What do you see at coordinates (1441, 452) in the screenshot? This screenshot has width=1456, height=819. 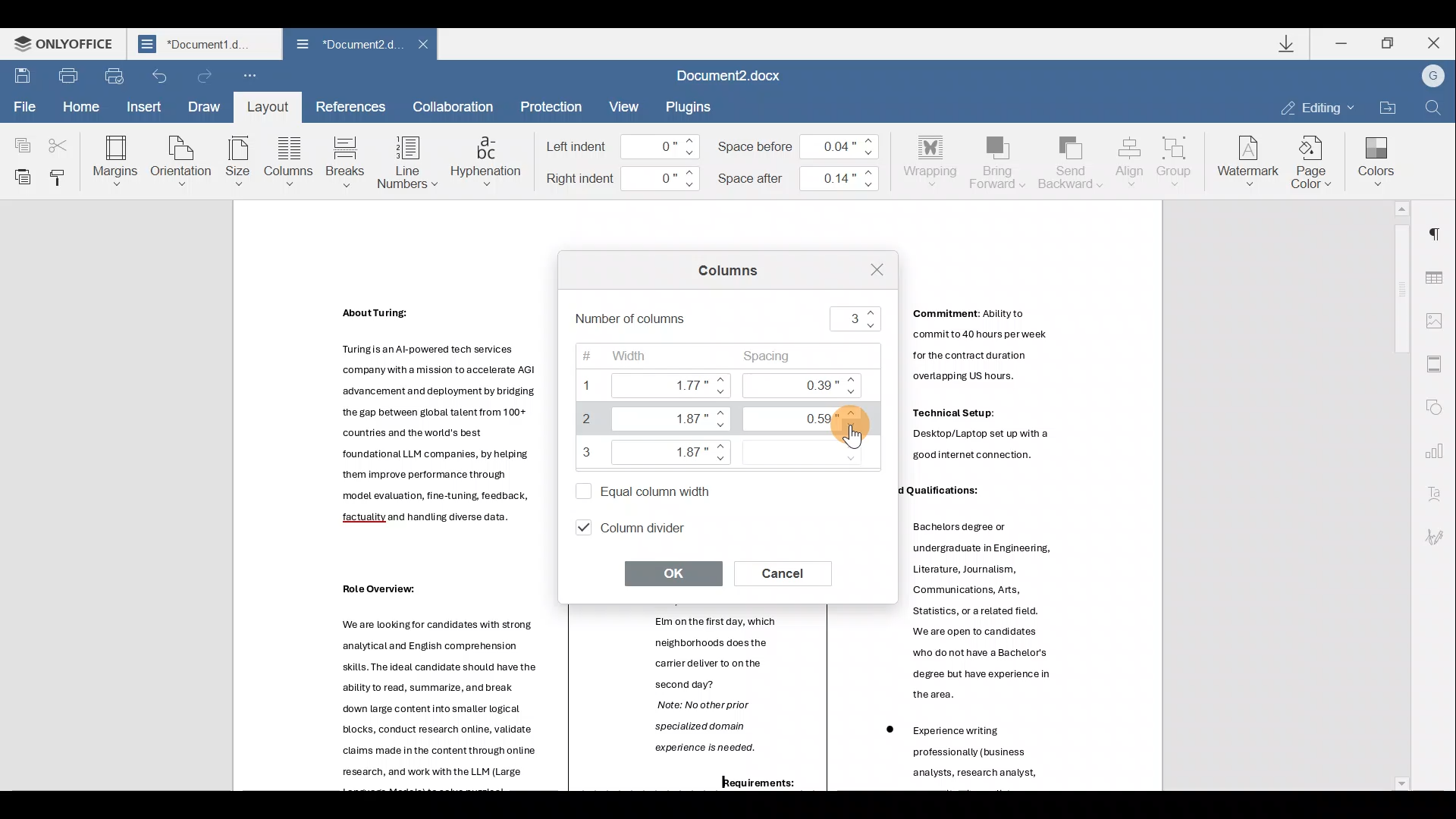 I see `Chart settings` at bounding box center [1441, 452].